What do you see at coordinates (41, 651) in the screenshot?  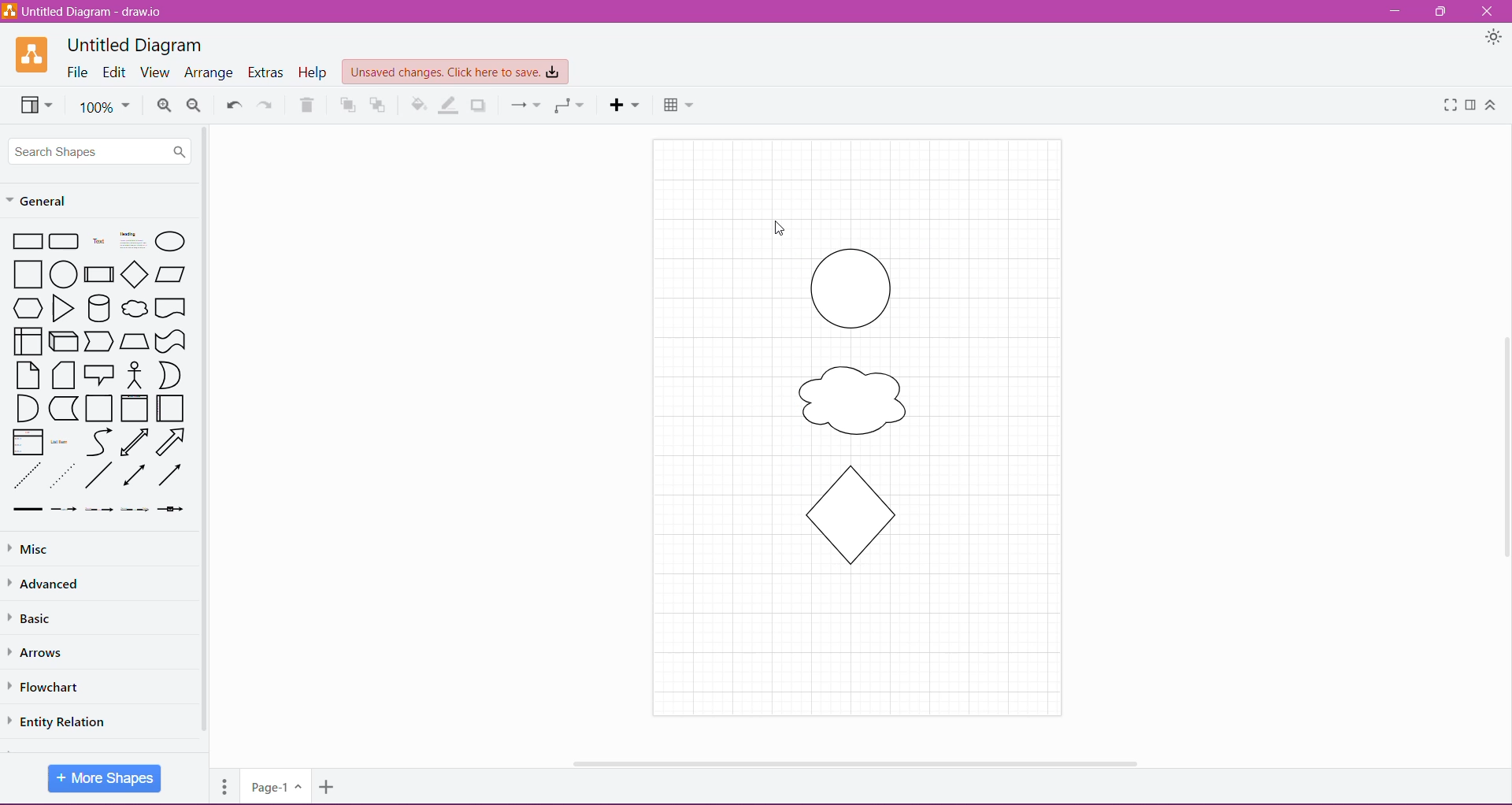 I see `Arrows` at bounding box center [41, 651].